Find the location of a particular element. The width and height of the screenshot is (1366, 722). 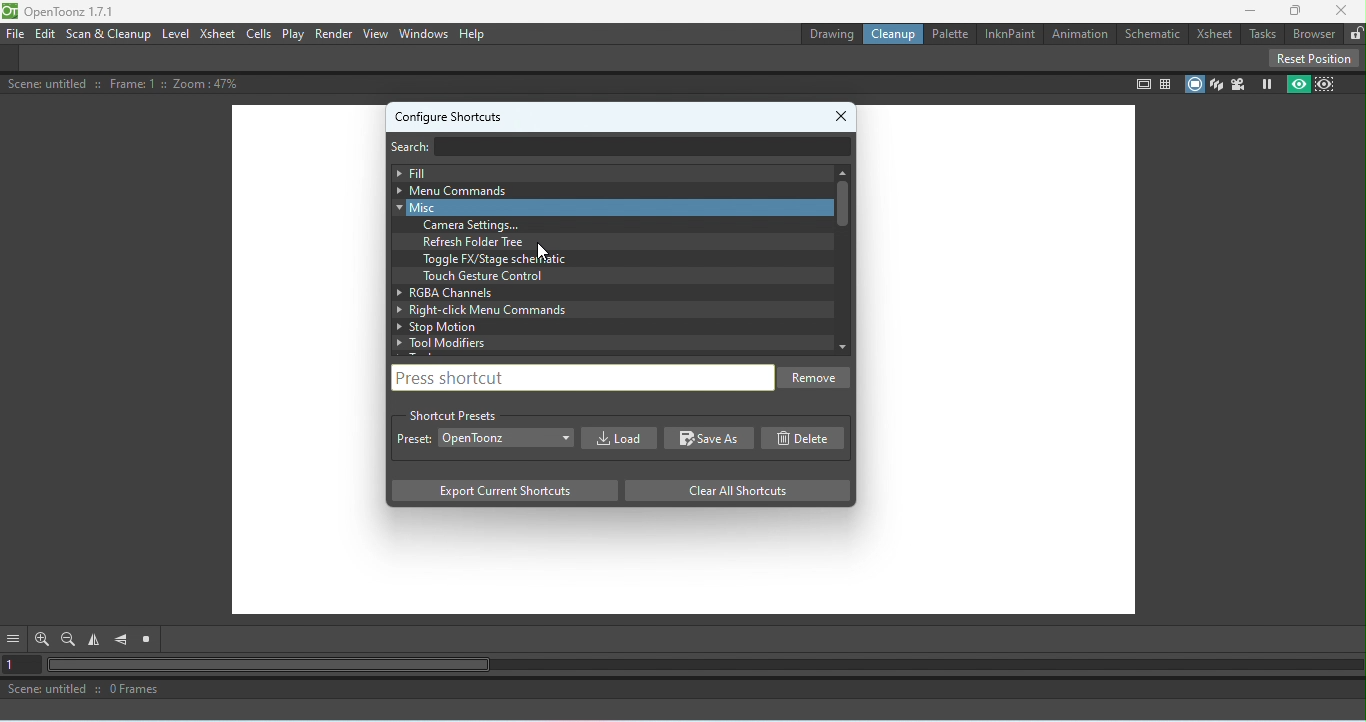

Flip horizontal is located at coordinates (97, 641).